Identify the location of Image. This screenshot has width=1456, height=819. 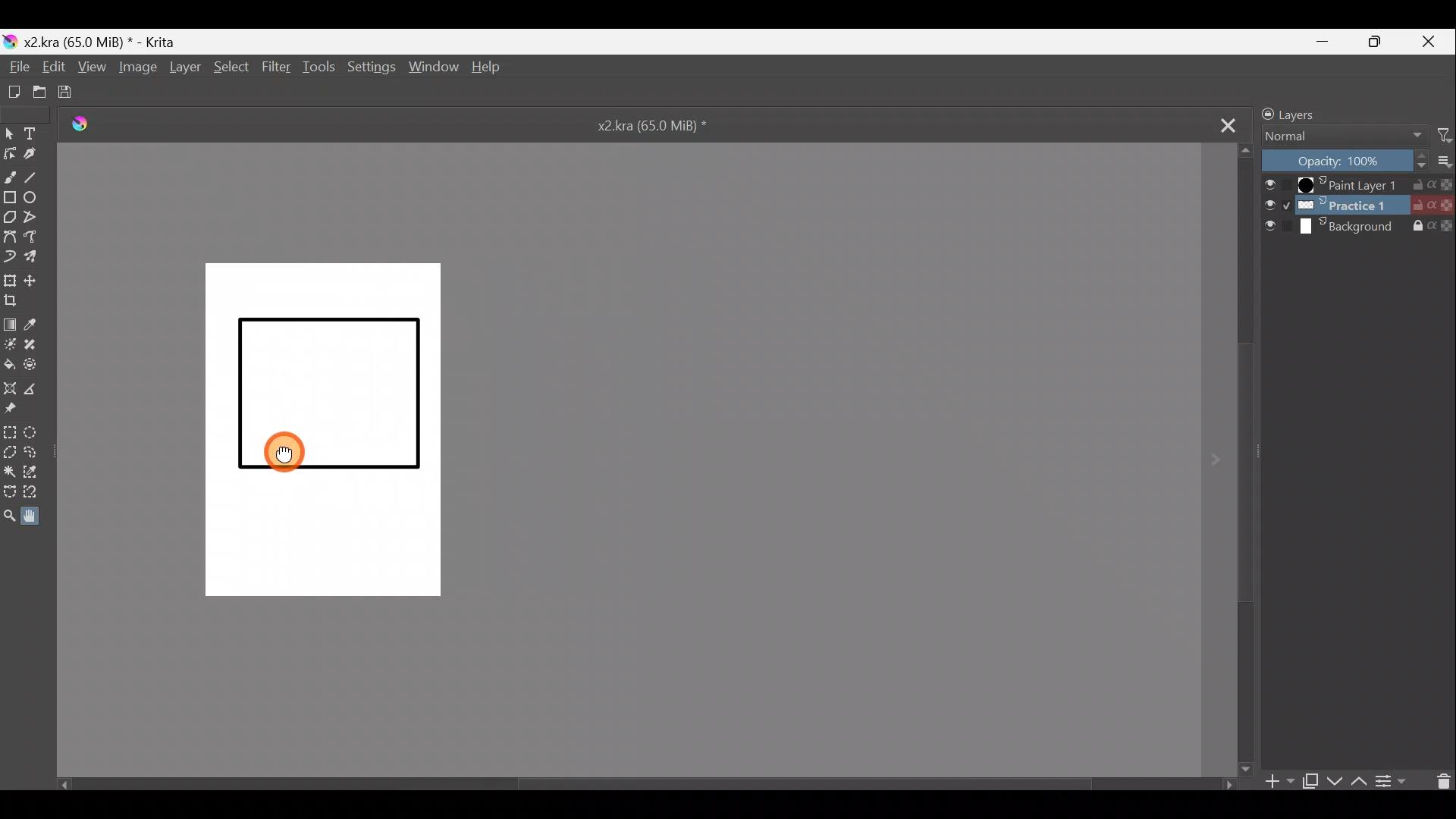
(140, 71).